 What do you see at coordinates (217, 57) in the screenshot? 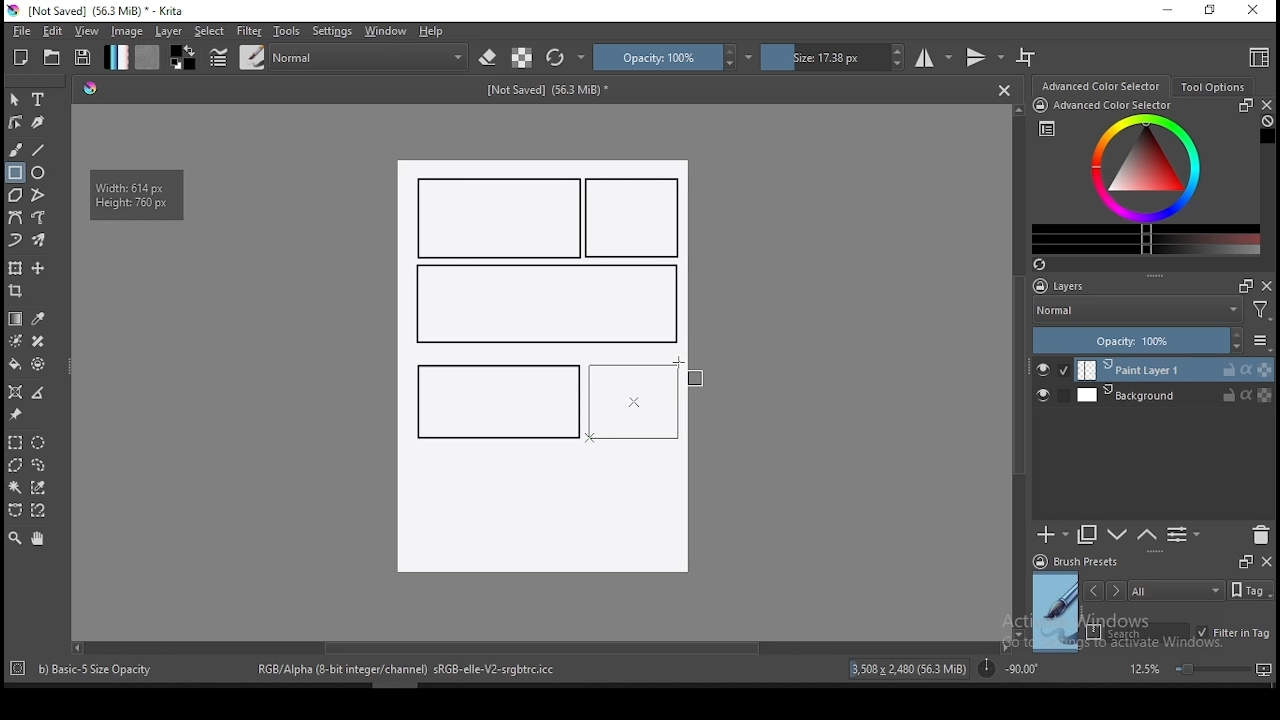
I see `brush settings` at bounding box center [217, 57].